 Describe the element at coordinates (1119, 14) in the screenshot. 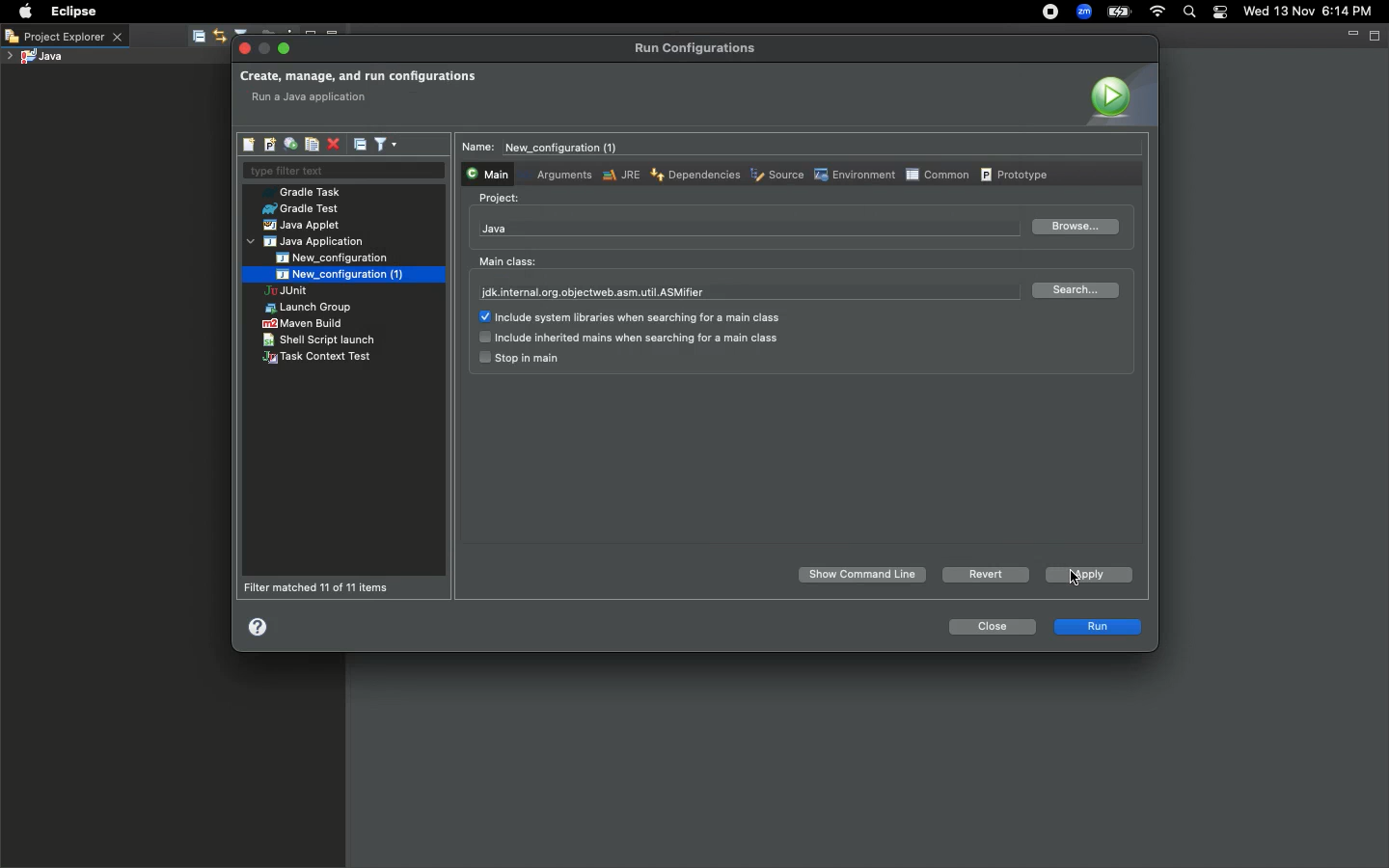

I see `Charge` at that location.